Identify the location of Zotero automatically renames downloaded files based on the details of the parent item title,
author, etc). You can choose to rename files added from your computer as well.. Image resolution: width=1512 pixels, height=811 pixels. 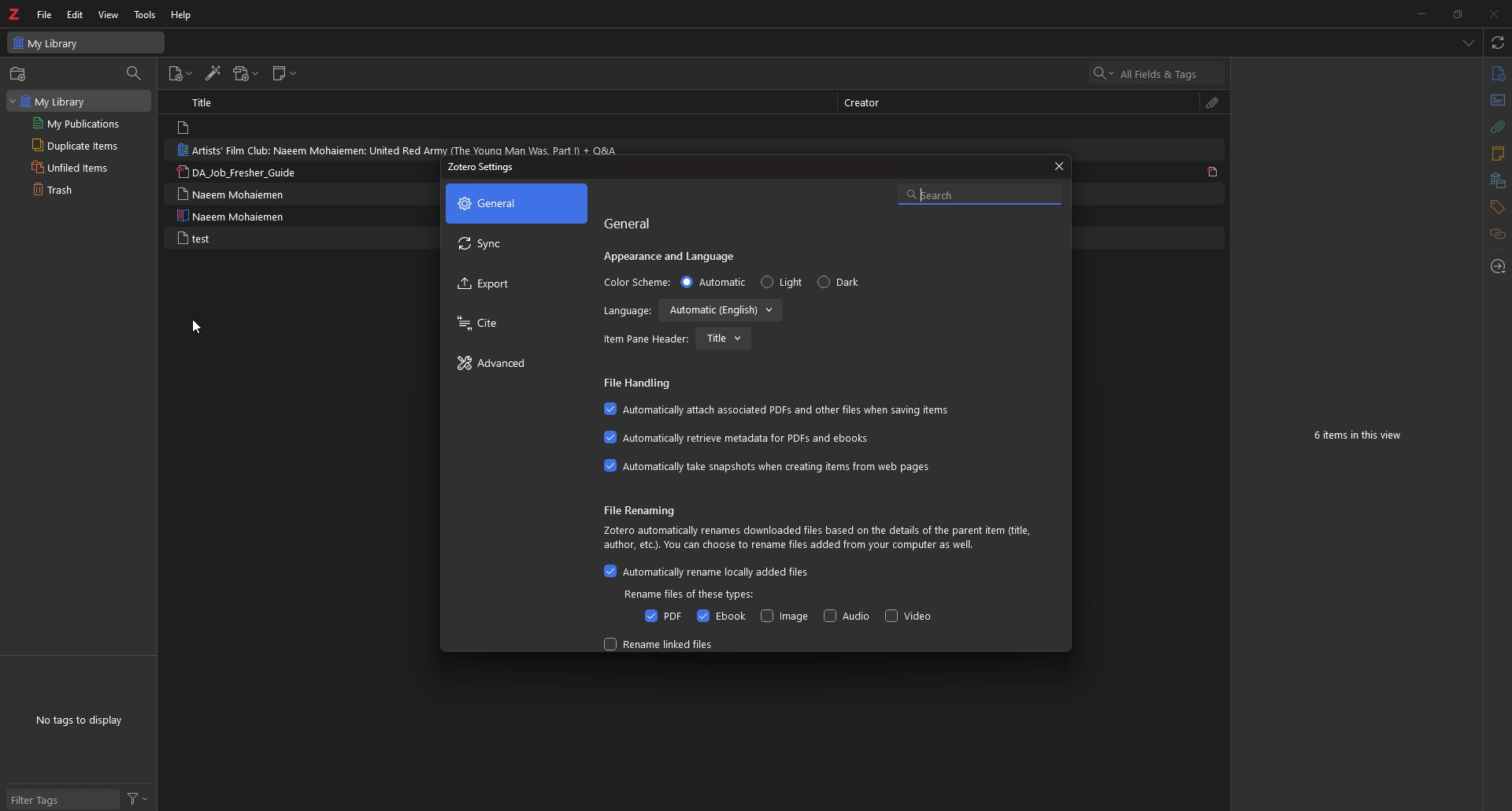
(820, 538).